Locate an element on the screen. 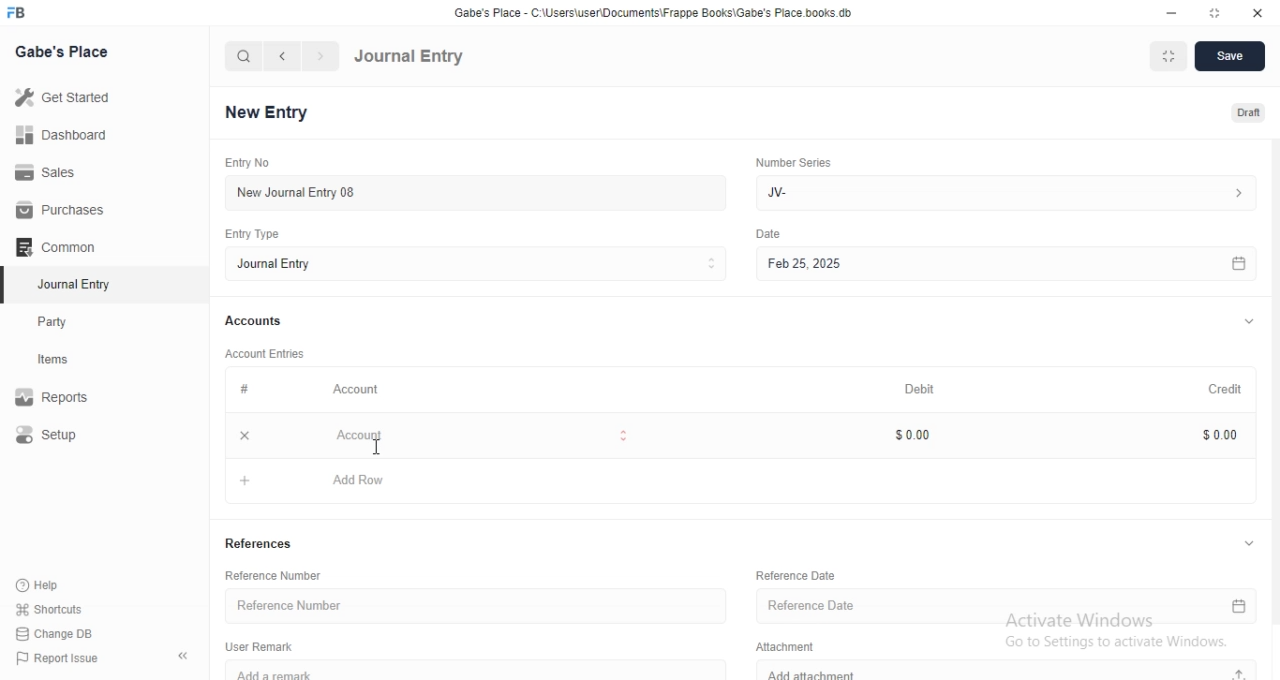  navigate forward is located at coordinates (321, 56).